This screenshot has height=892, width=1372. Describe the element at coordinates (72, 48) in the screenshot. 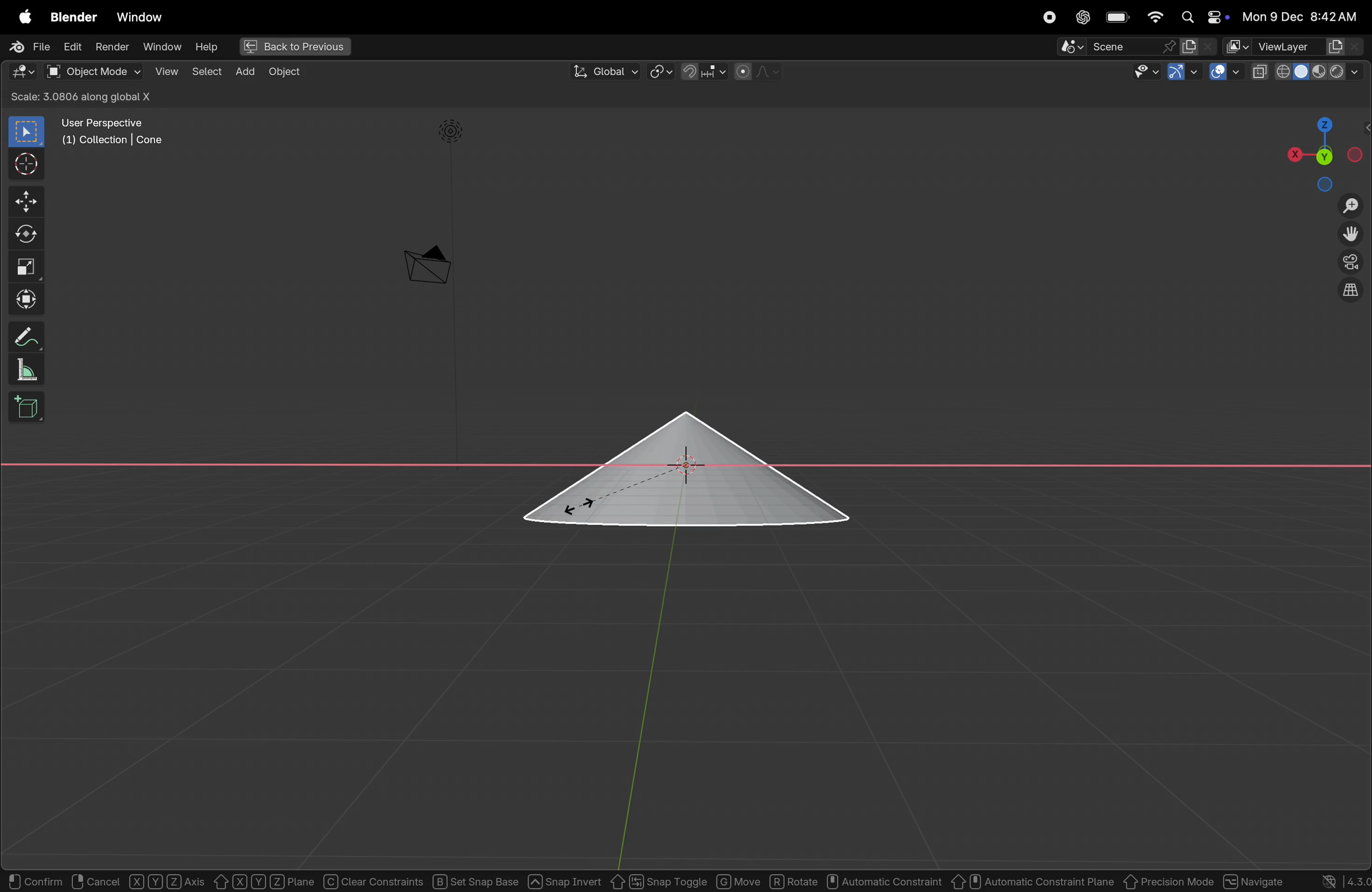

I see `Edit` at that location.